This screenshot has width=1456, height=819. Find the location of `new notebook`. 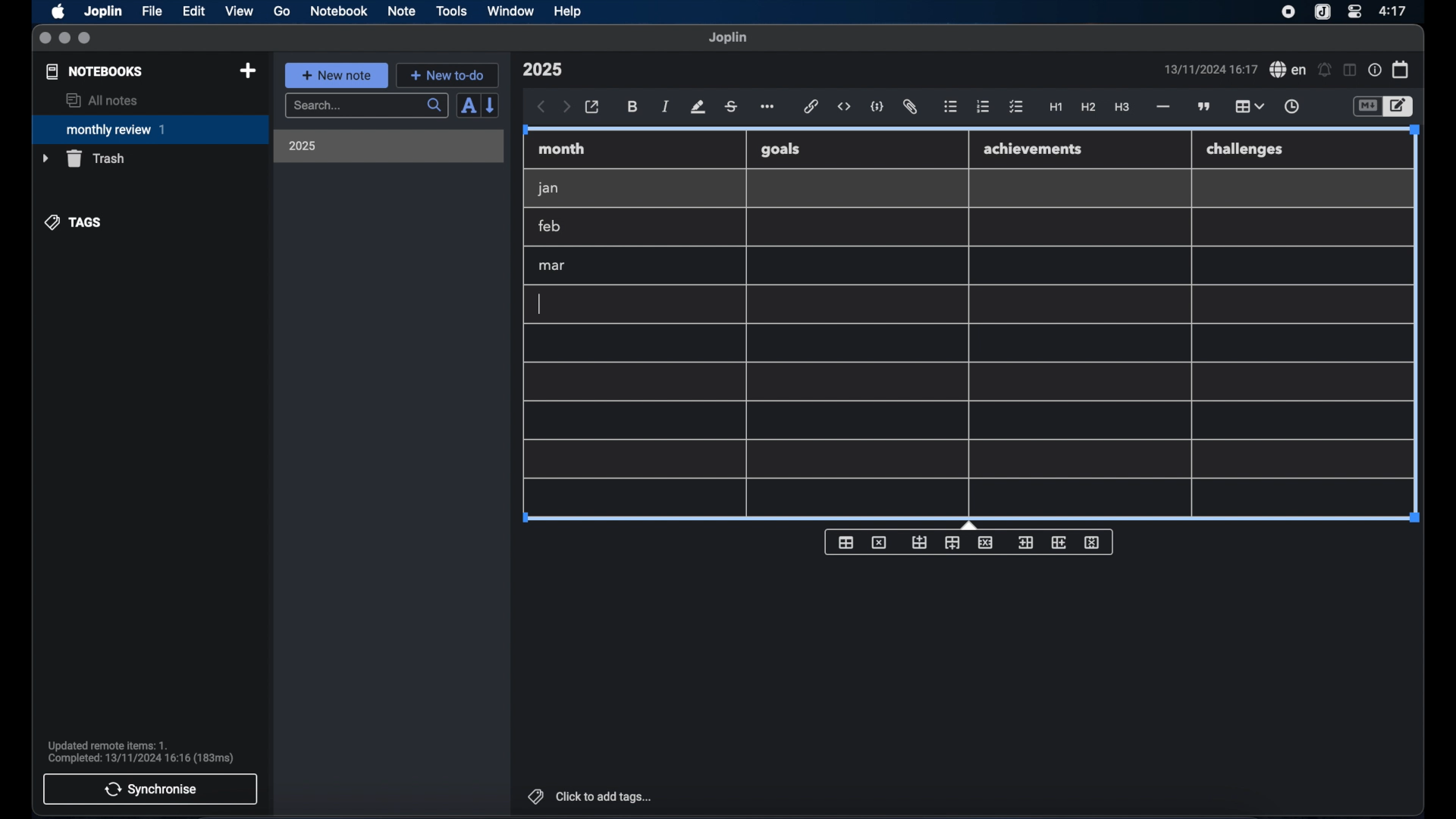

new notebook is located at coordinates (247, 71).